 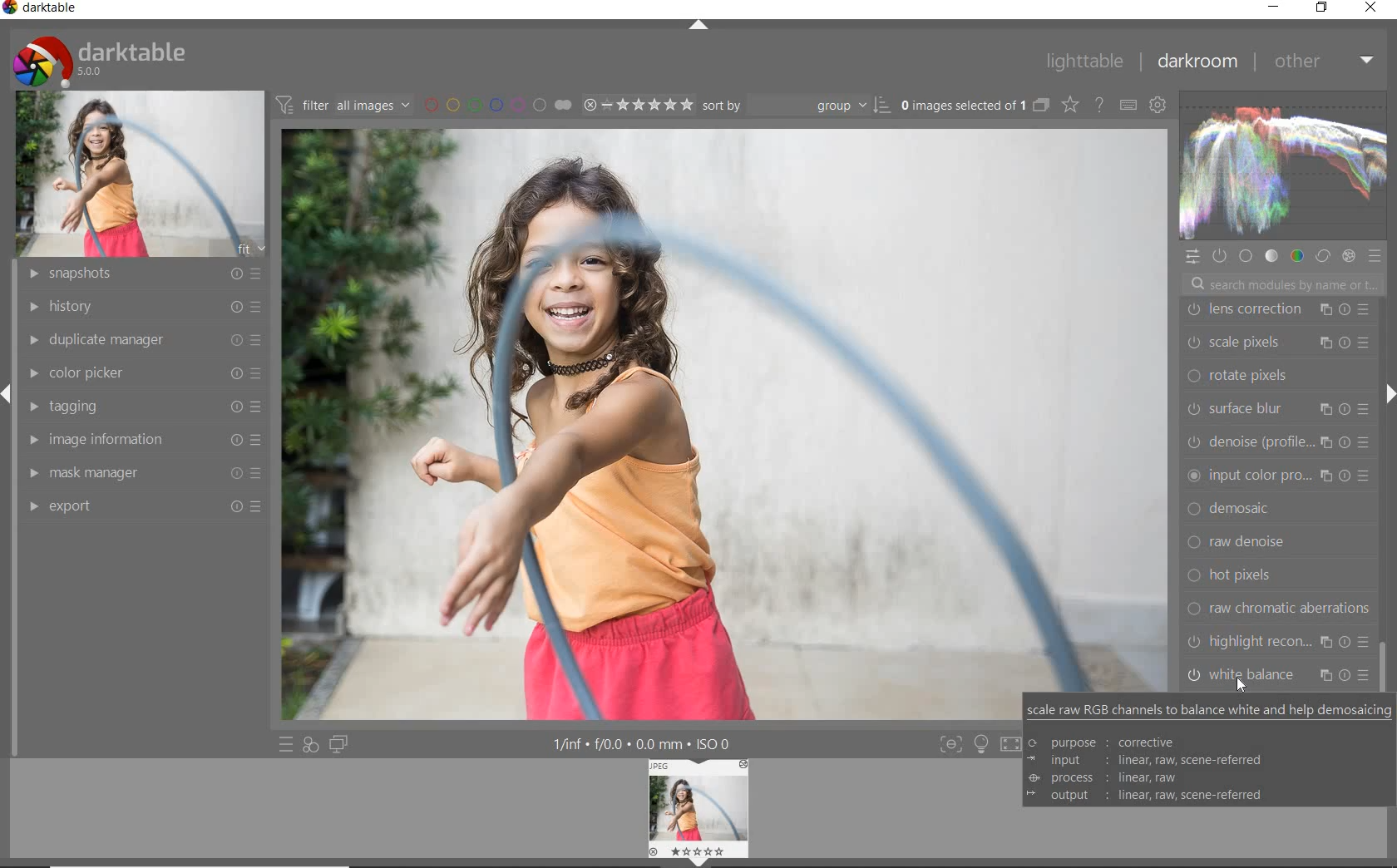 I want to click on cursor on toggle mode , so click(x=1251, y=683).